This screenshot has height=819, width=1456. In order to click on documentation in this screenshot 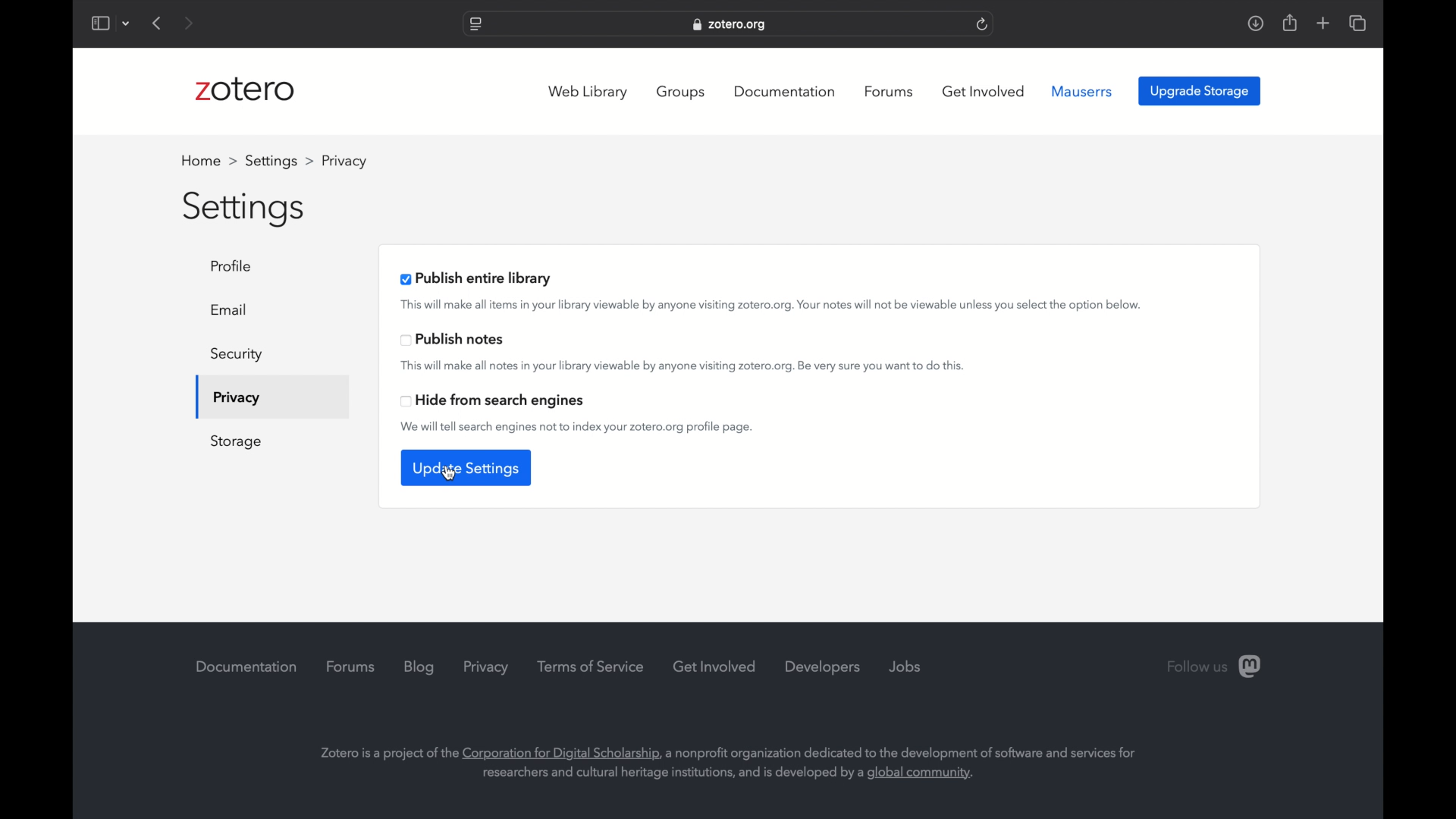, I will do `click(249, 667)`.